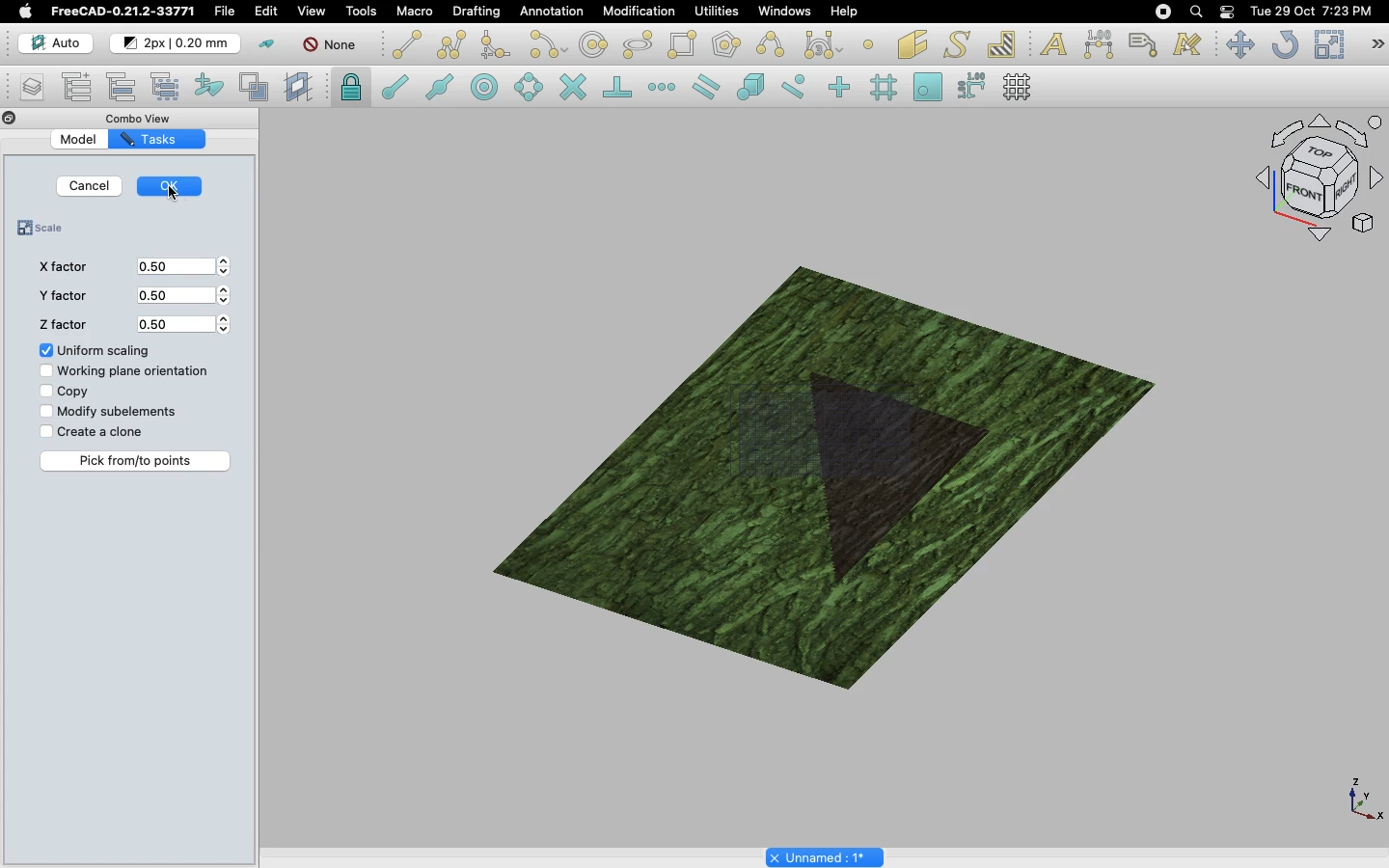 The image size is (1389, 868). I want to click on File, so click(227, 12).